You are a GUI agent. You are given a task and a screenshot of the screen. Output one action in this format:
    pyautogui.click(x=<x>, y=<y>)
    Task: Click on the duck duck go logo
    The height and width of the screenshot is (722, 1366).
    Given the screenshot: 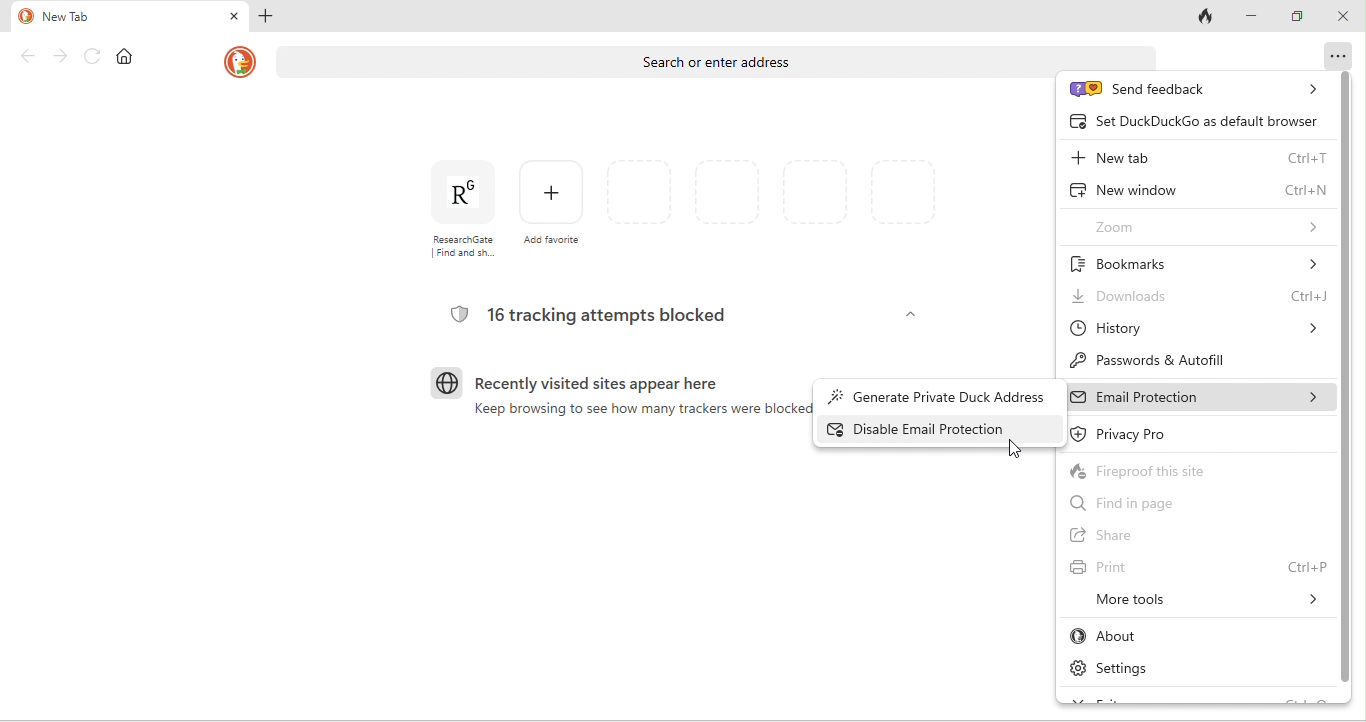 What is the action you would take?
    pyautogui.click(x=239, y=62)
    